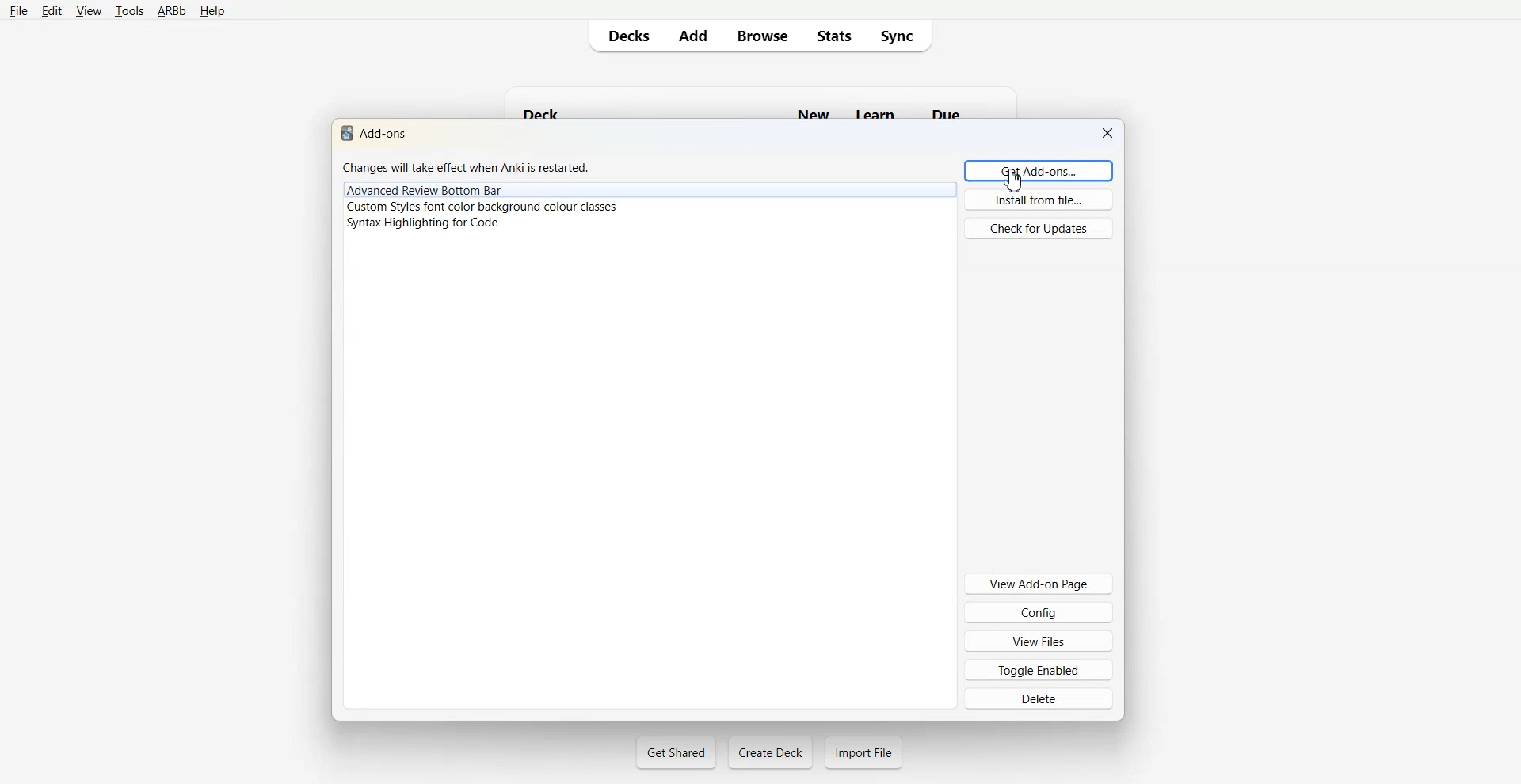 The width and height of the screenshot is (1521, 784). What do you see at coordinates (1039, 228) in the screenshot?
I see `Check for Updates` at bounding box center [1039, 228].